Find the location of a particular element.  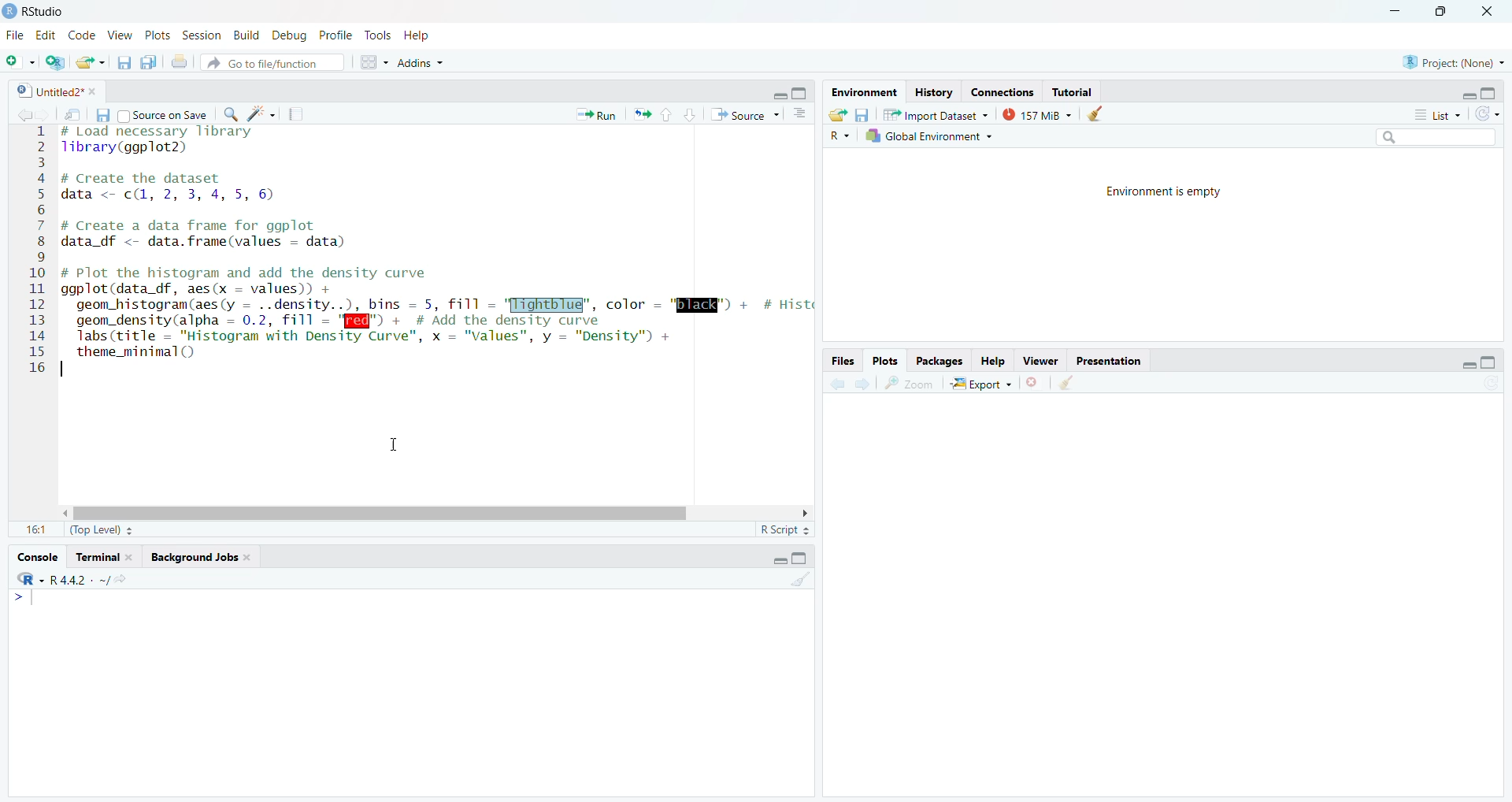

Source is located at coordinates (745, 114).